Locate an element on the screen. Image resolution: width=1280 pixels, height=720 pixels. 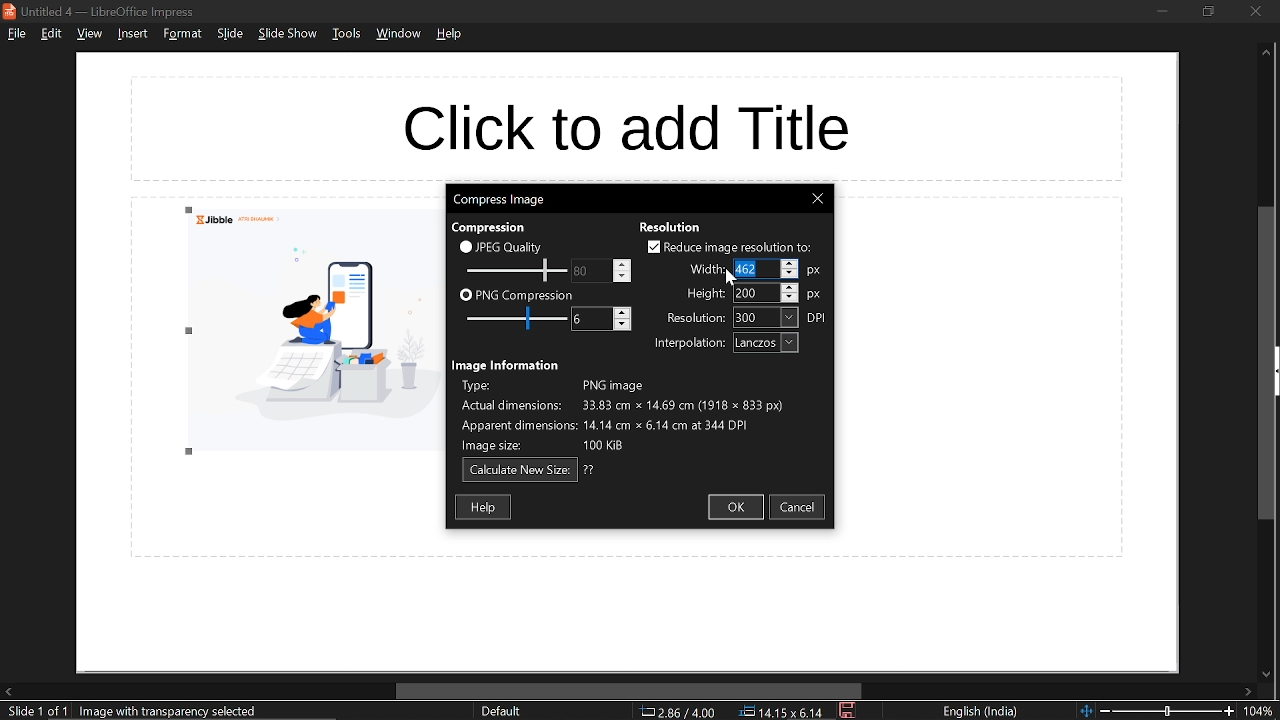
Move up is located at coordinates (1266, 53).